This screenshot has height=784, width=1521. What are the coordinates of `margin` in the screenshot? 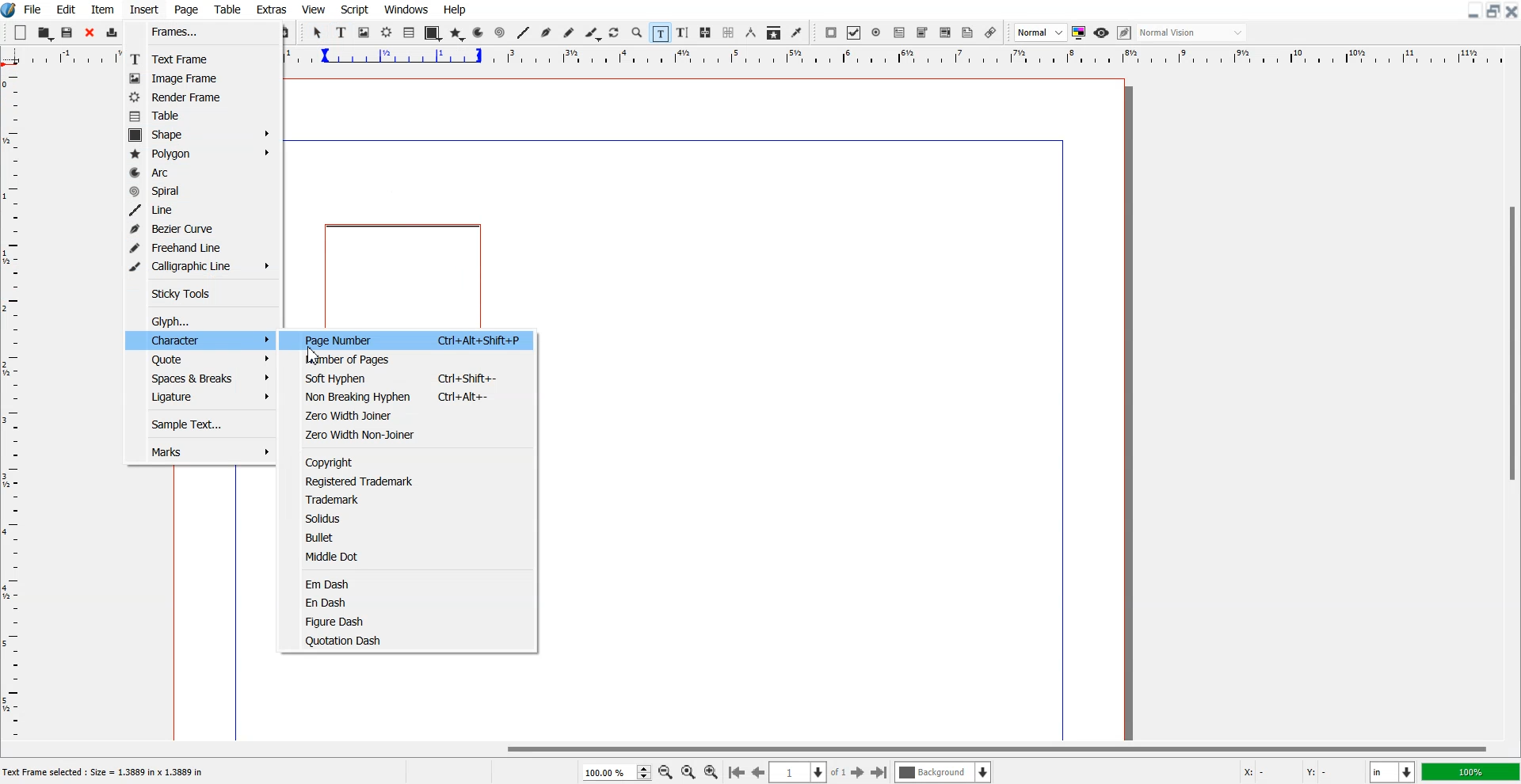 It's located at (232, 601).